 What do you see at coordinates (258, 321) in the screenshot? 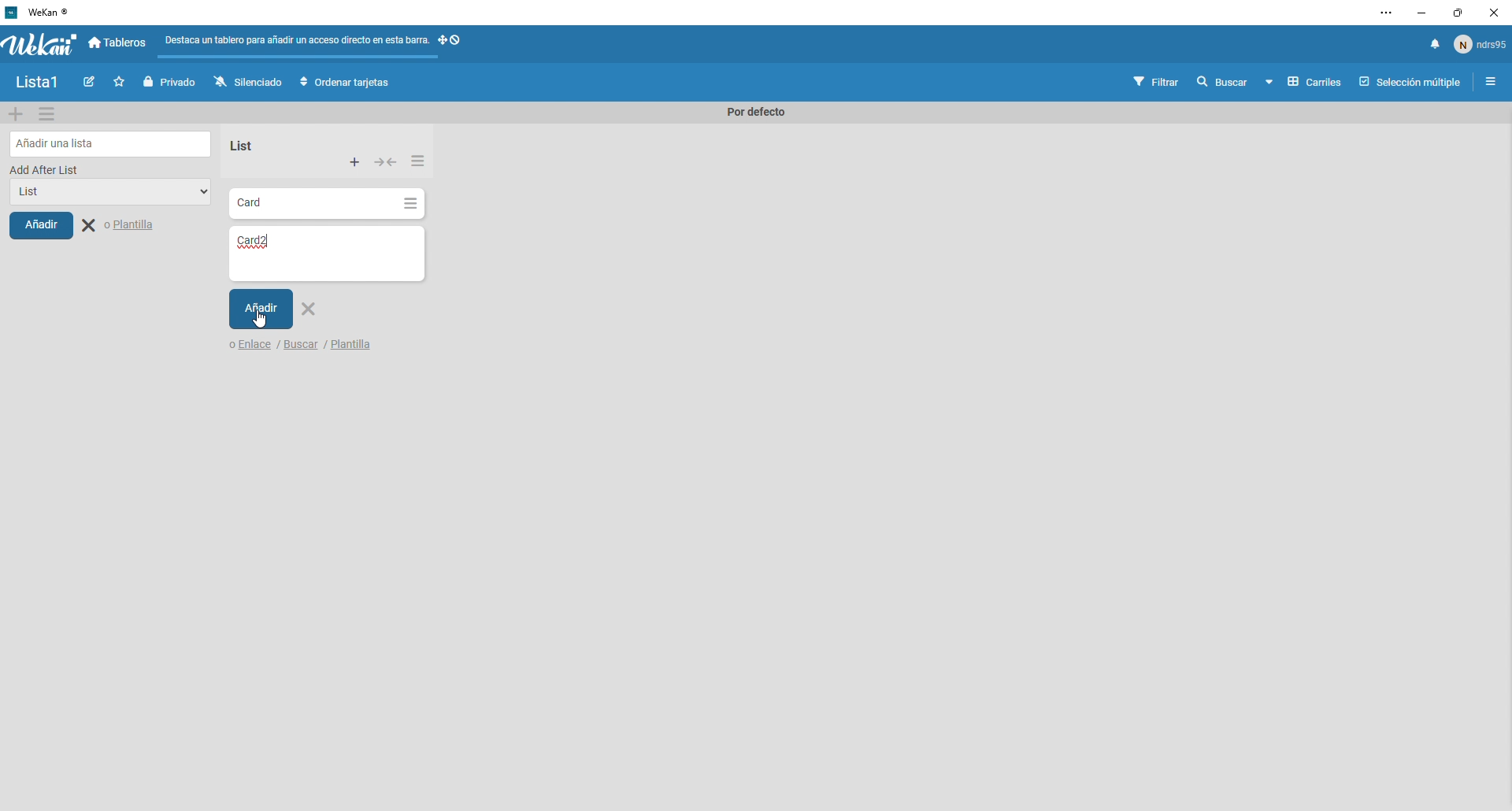
I see `cursor` at bounding box center [258, 321].